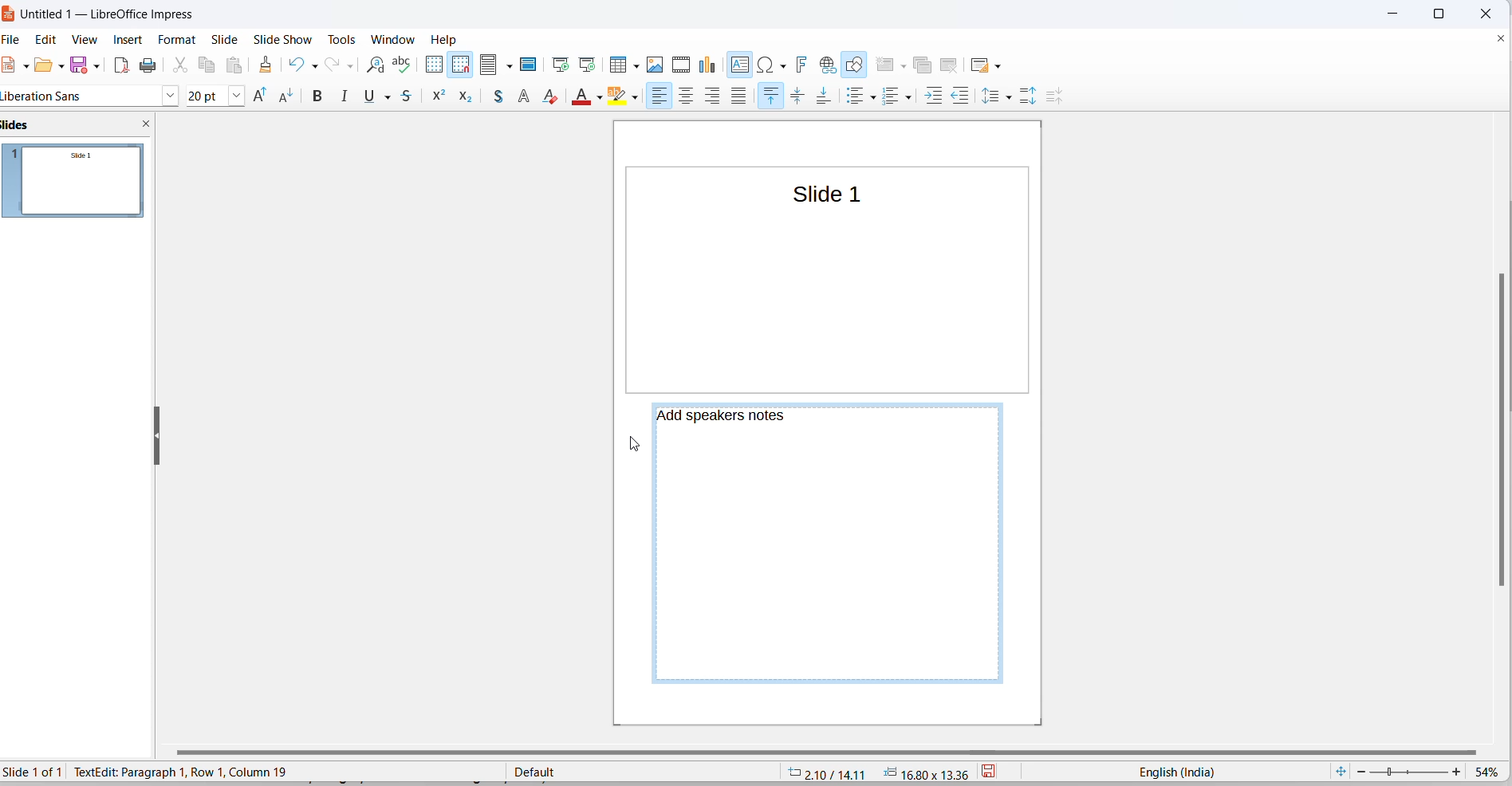 The width and height of the screenshot is (1512, 786). What do you see at coordinates (838, 755) in the screenshot?
I see `horizontal scrollbar` at bounding box center [838, 755].